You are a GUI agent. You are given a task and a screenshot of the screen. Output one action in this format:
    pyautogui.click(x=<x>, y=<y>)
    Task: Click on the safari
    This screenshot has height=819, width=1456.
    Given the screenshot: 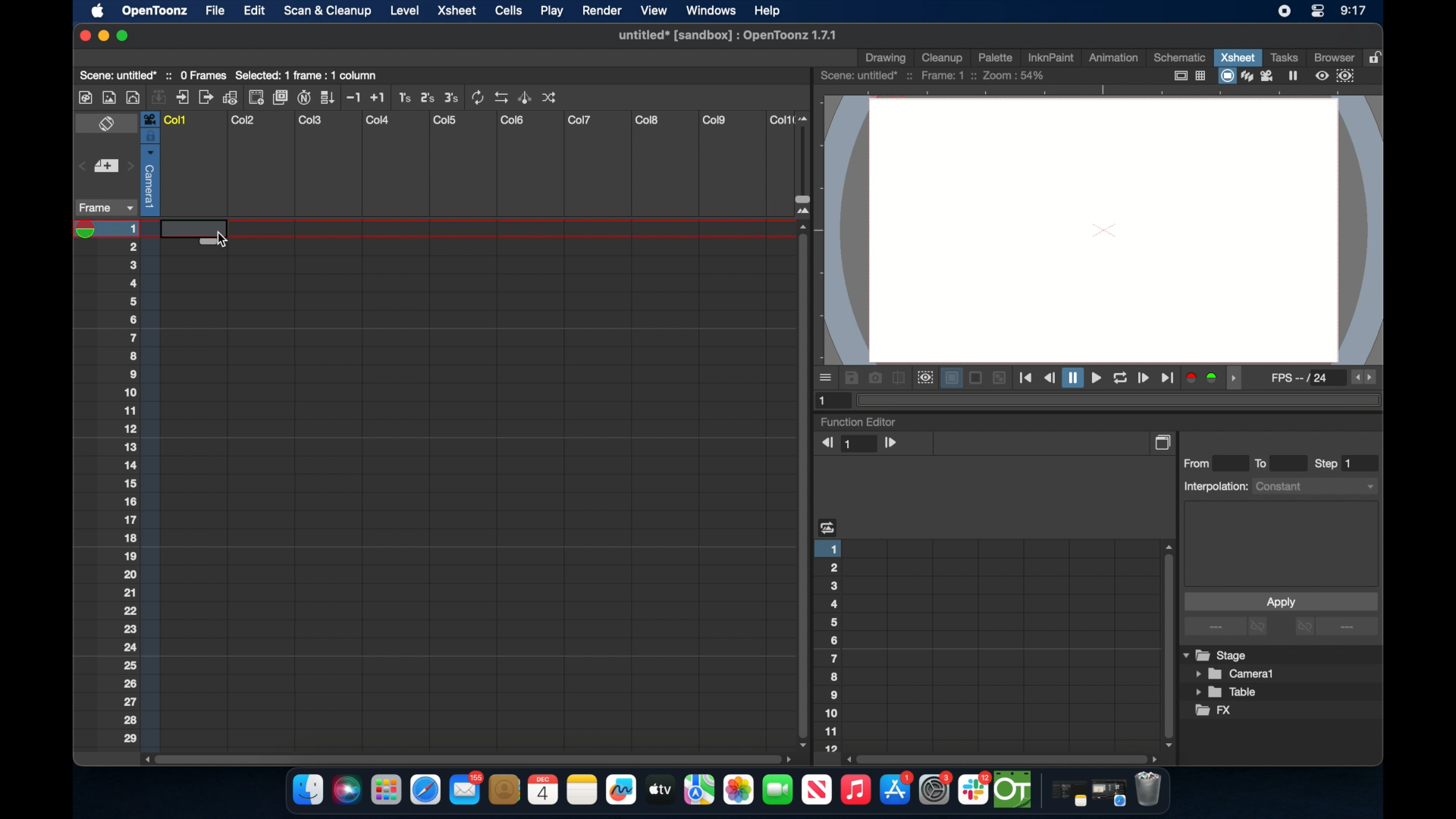 What is the action you would take?
    pyautogui.click(x=1109, y=793)
    